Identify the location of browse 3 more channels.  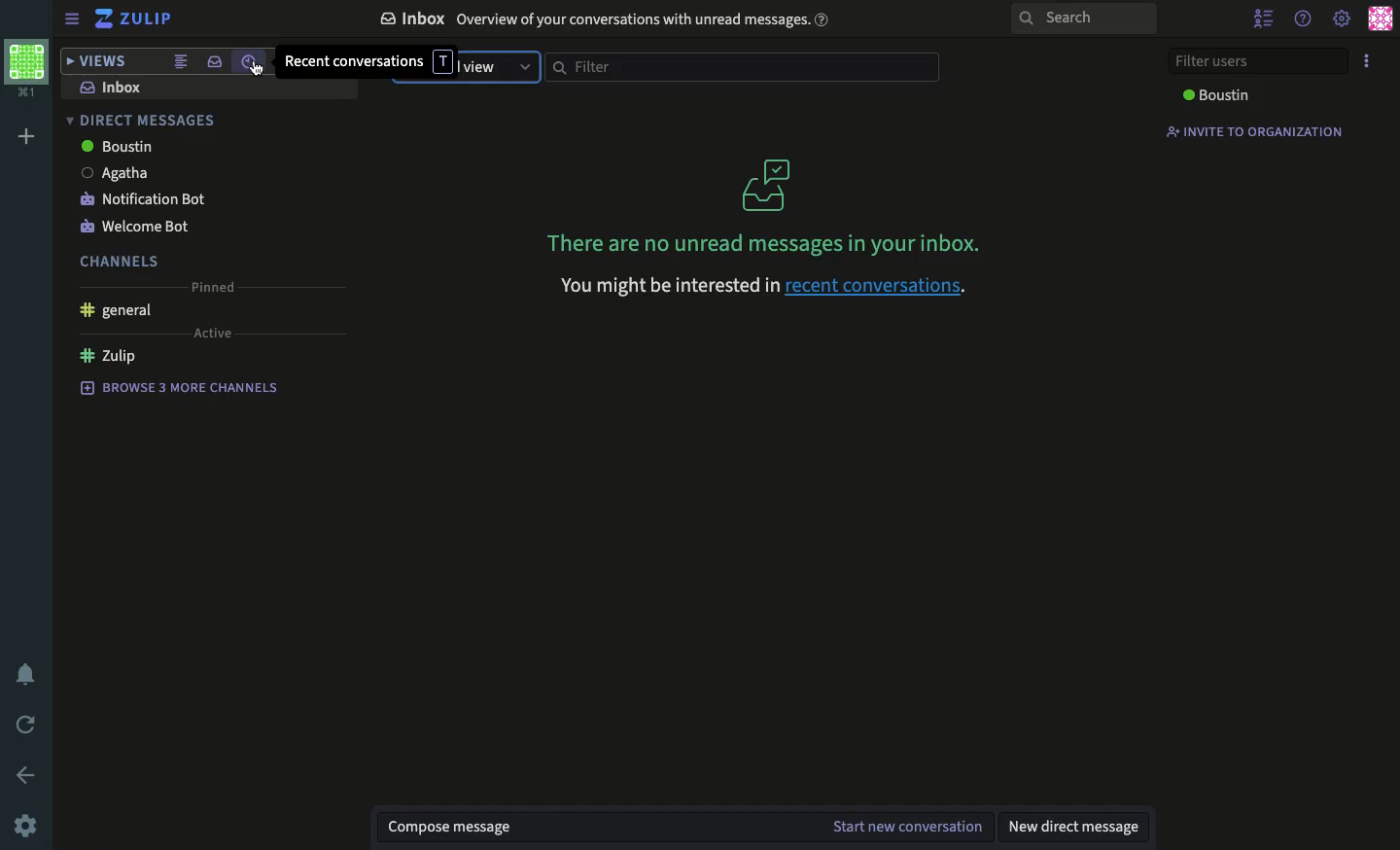
(179, 385).